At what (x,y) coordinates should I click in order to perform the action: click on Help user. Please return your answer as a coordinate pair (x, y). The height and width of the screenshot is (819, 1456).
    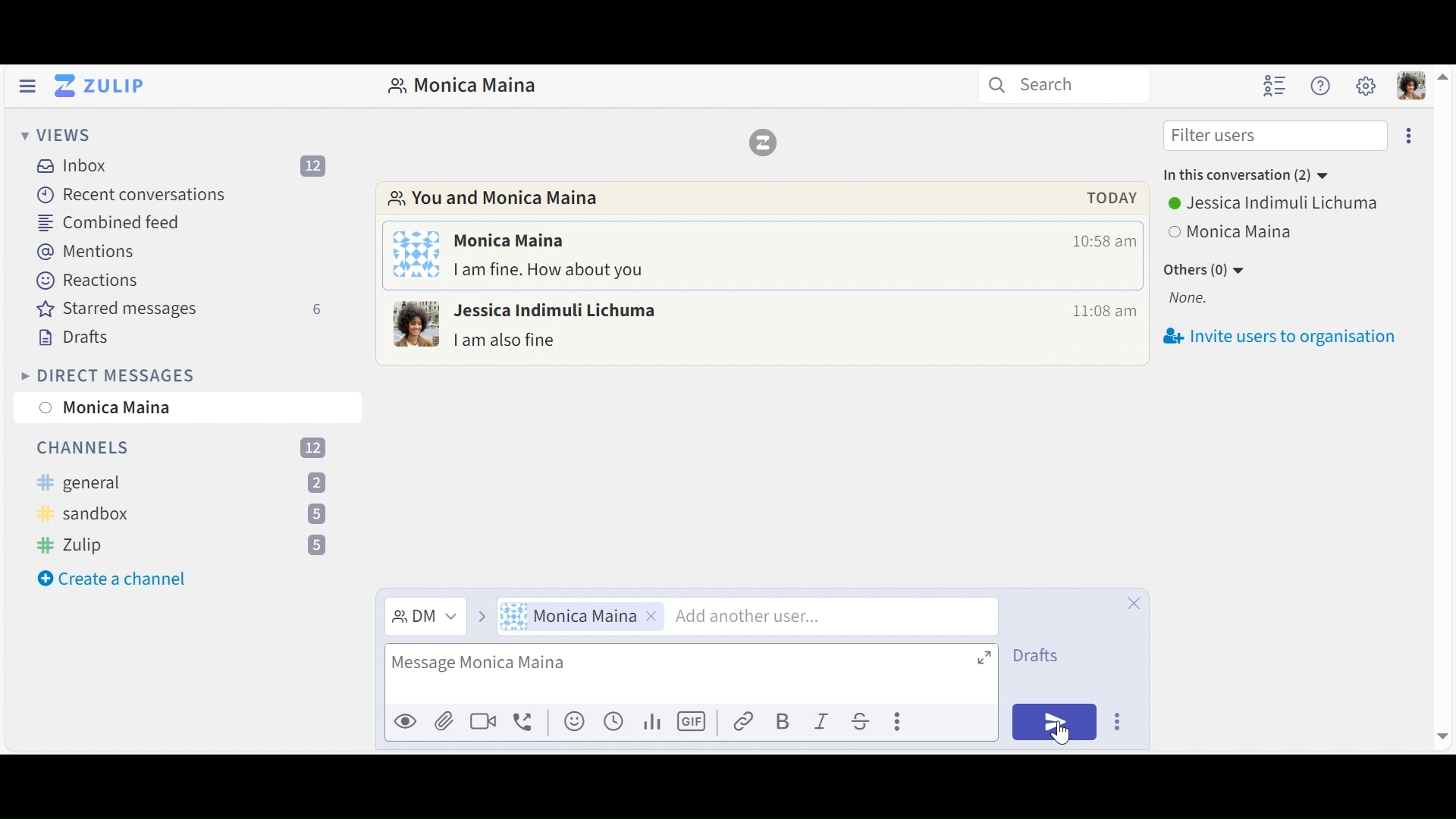
    Looking at the image, I should click on (1321, 85).